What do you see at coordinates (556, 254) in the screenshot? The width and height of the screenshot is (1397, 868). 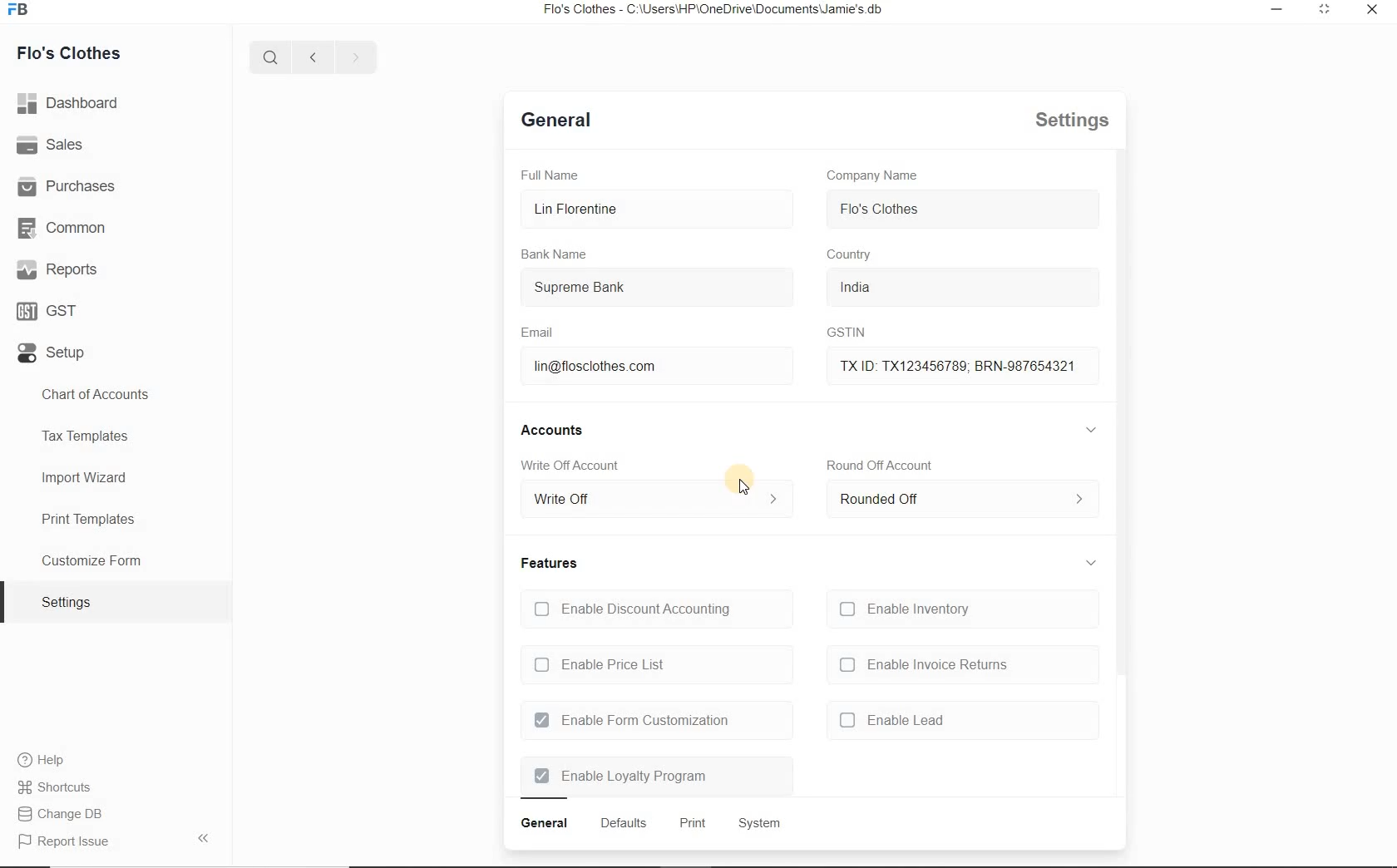 I see `Bank Name` at bounding box center [556, 254].